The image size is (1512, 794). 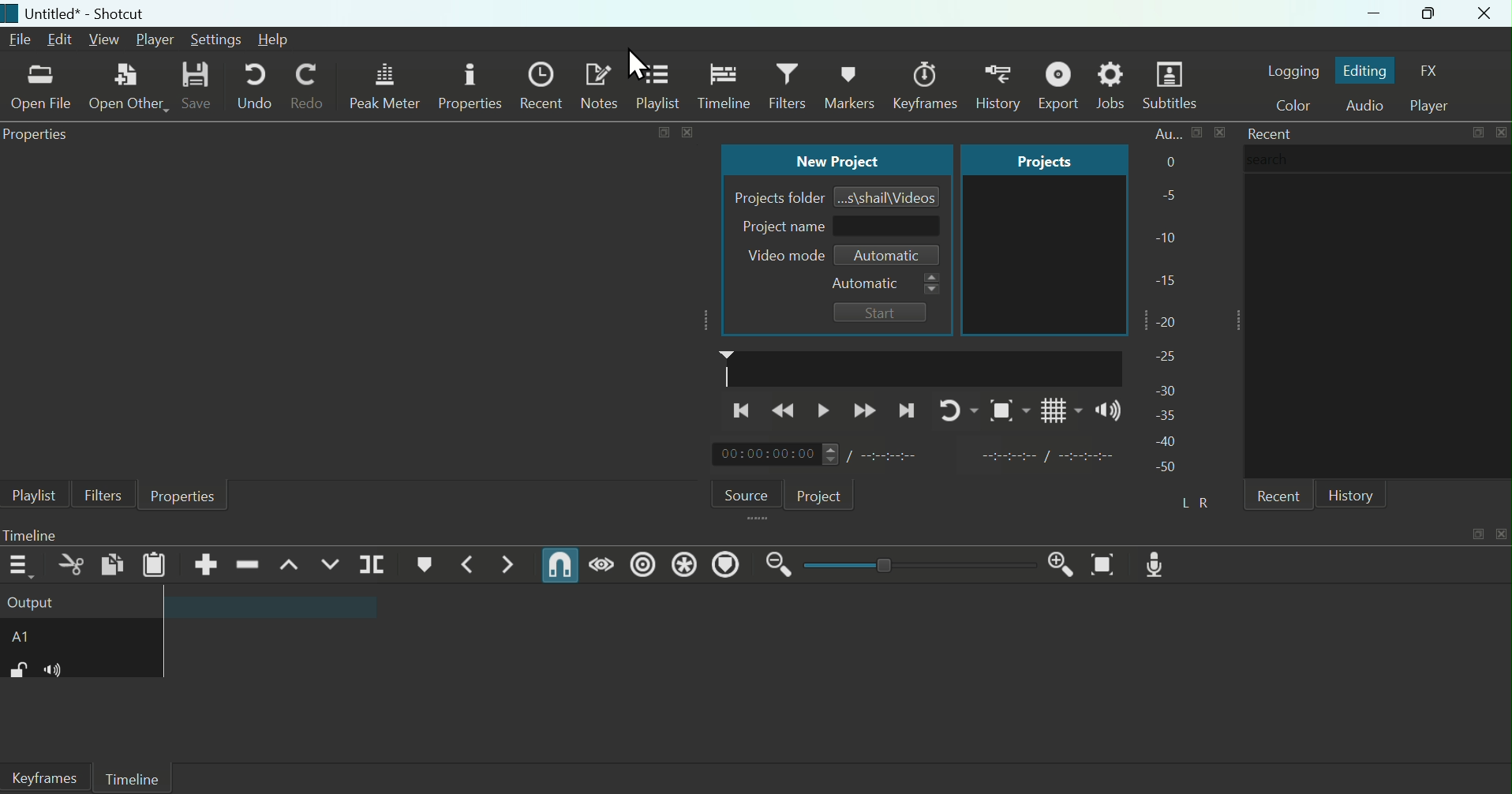 I want to click on make bigger, so click(x=1197, y=133).